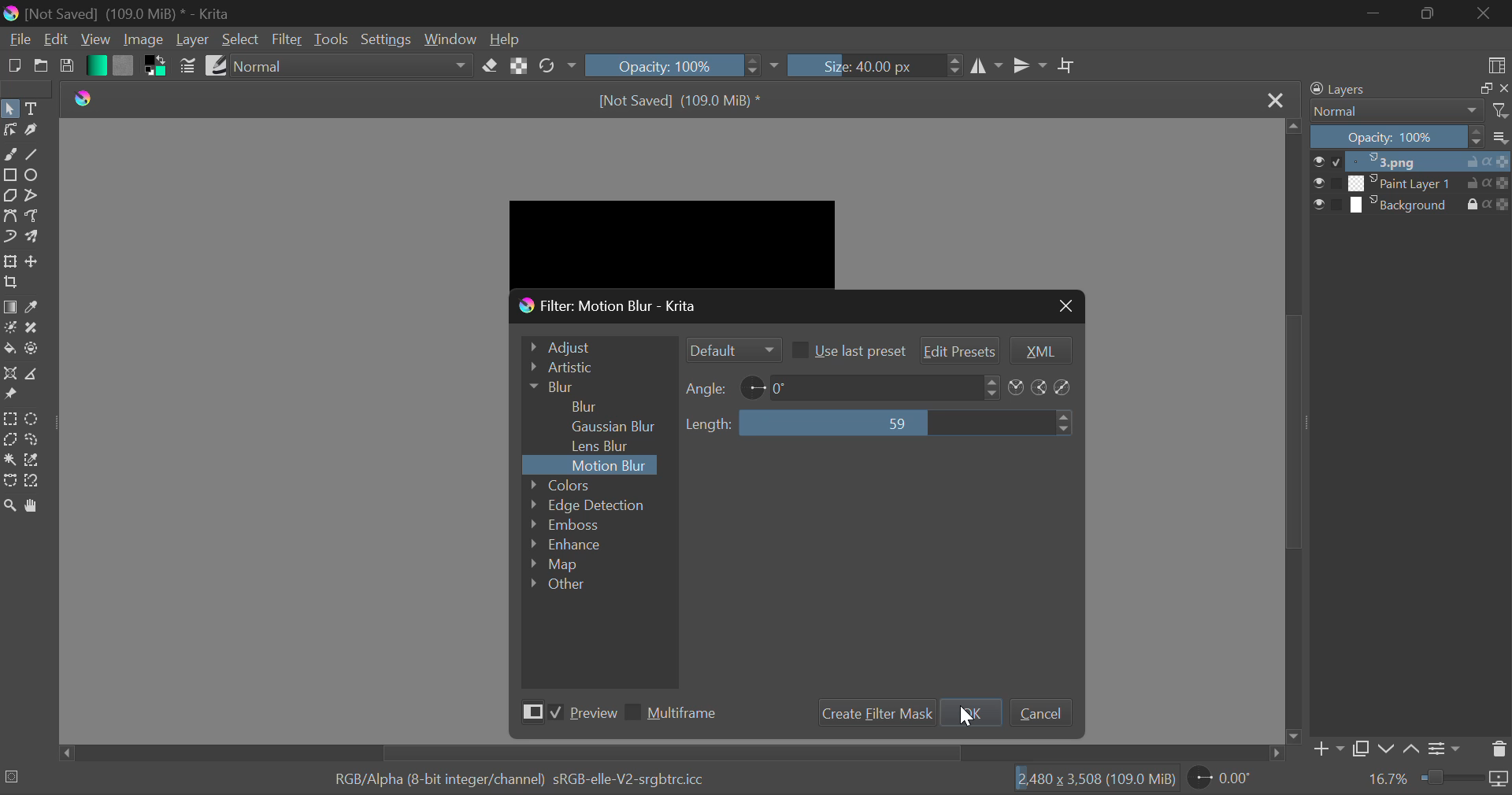 This screenshot has width=1512, height=795. I want to click on Normal, so click(1408, 111).